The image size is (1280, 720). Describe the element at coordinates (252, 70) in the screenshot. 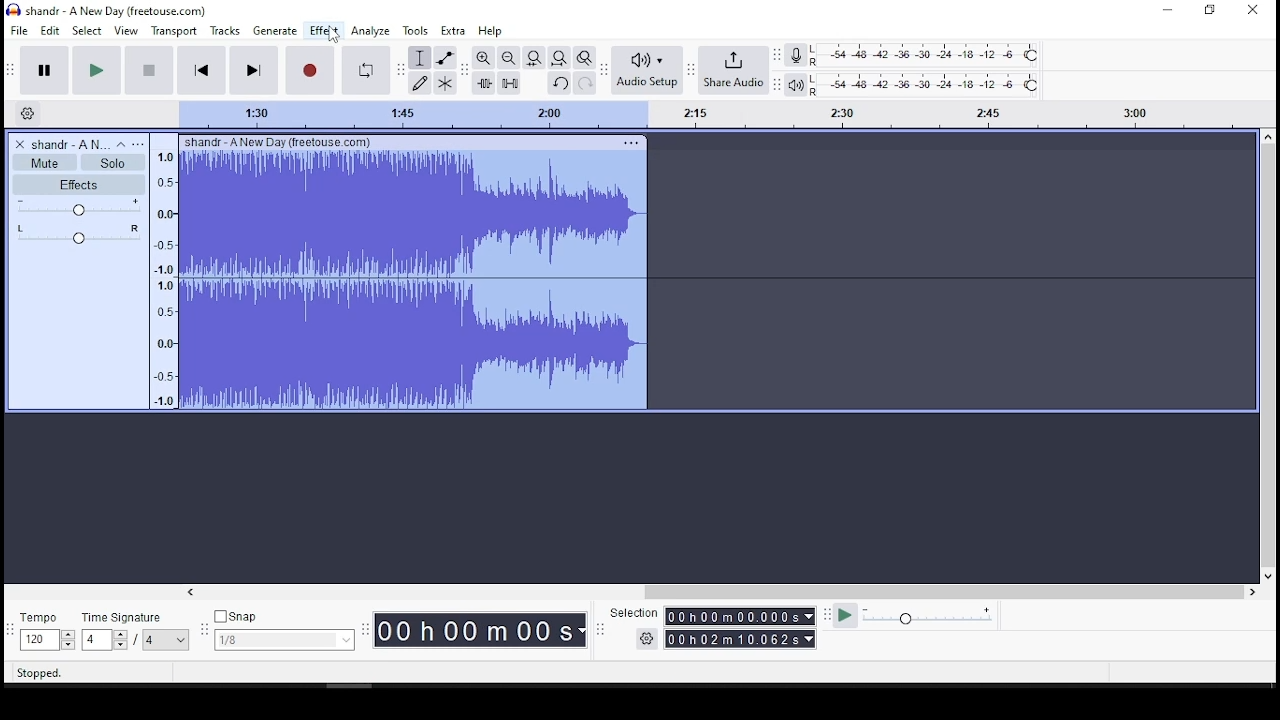

I see `skip to end` at that location.